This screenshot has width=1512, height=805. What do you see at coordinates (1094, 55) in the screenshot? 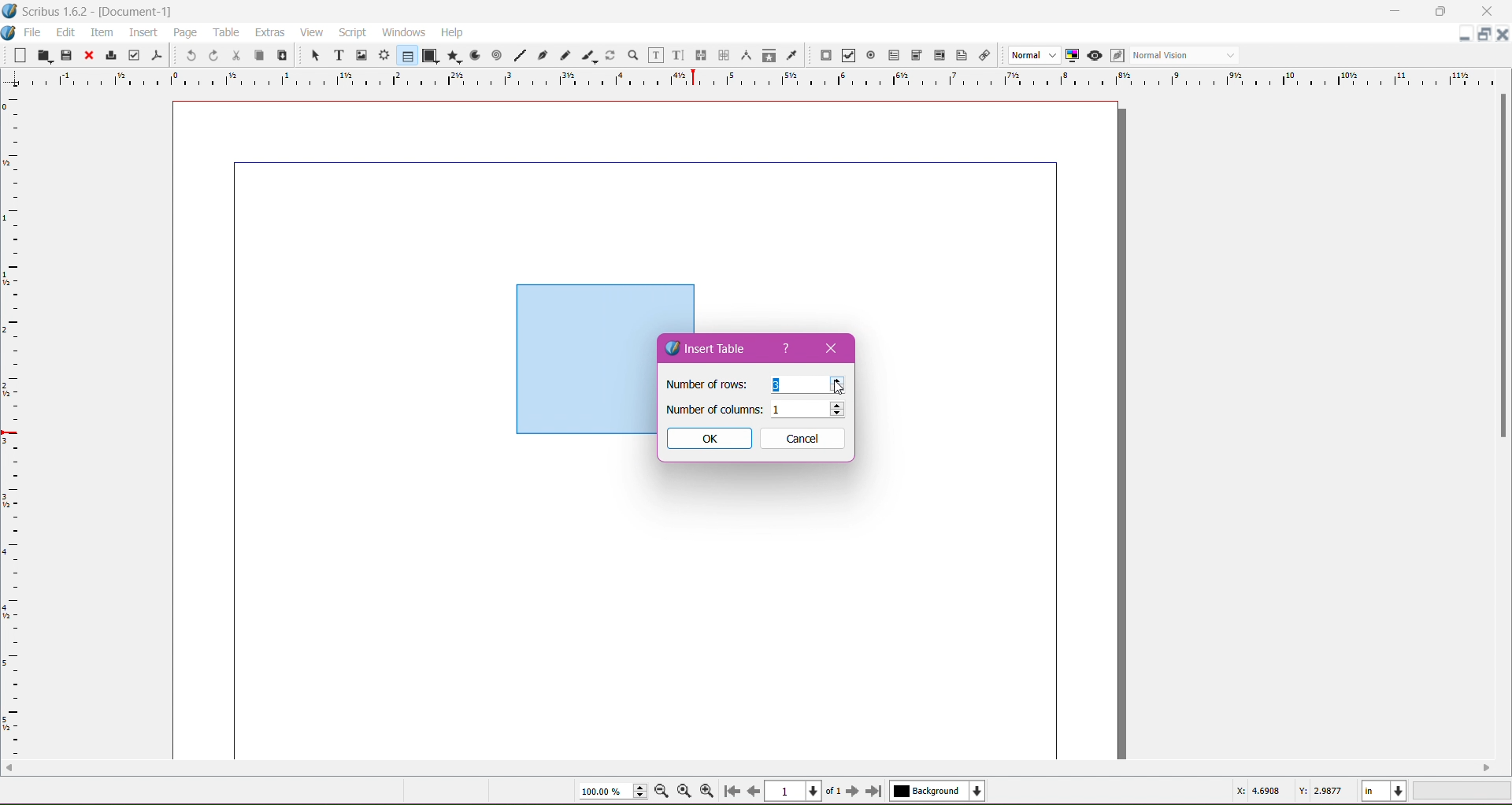
I see `Preview Mode` at bounding box center [1094, 55].